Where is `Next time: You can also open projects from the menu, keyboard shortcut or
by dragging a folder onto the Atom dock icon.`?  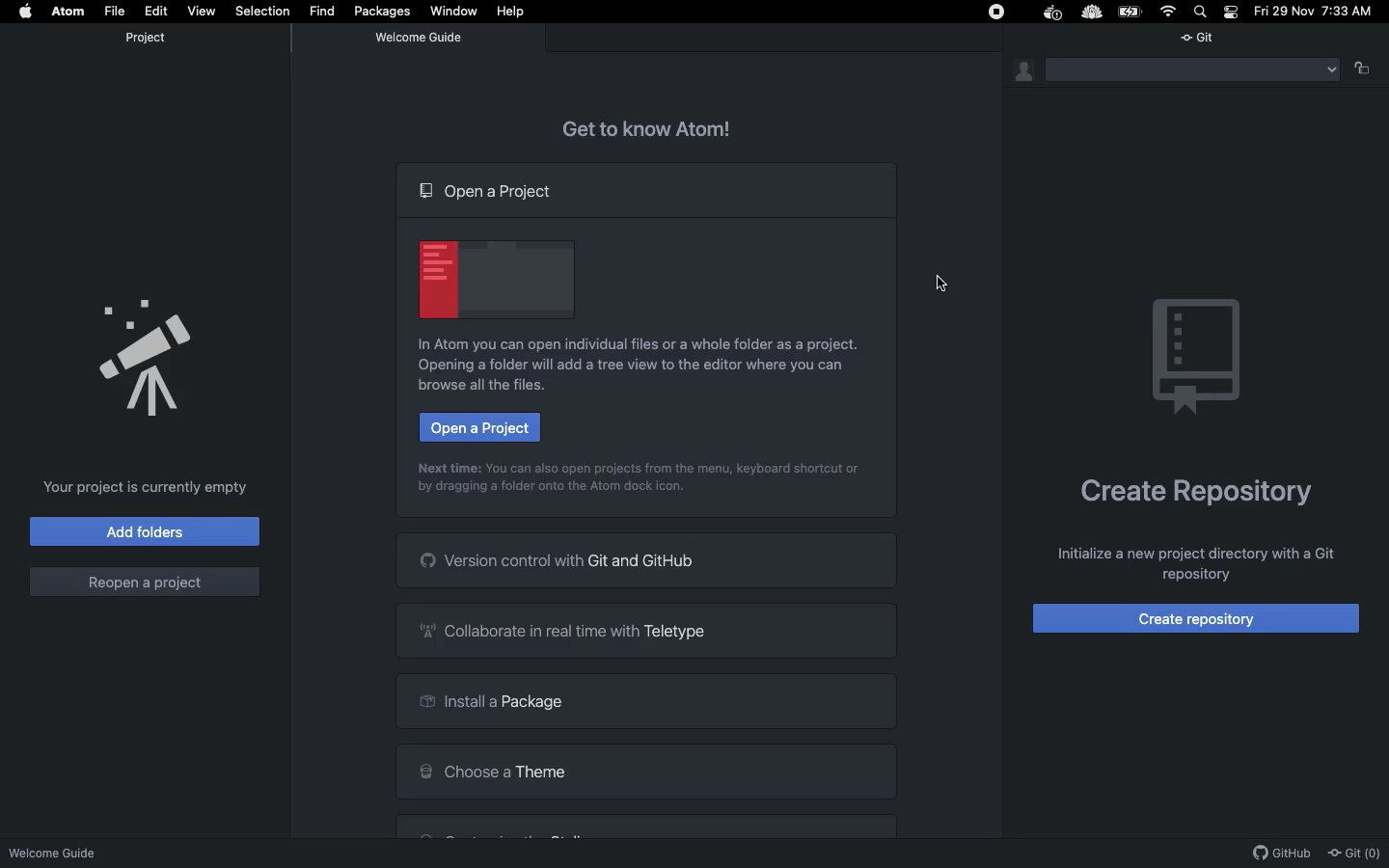 Next time: You can also open projects from the menu, keyboard shortcut or
by dragging a folder onto the Atom dock icon. is located at coordinates (631, 483).